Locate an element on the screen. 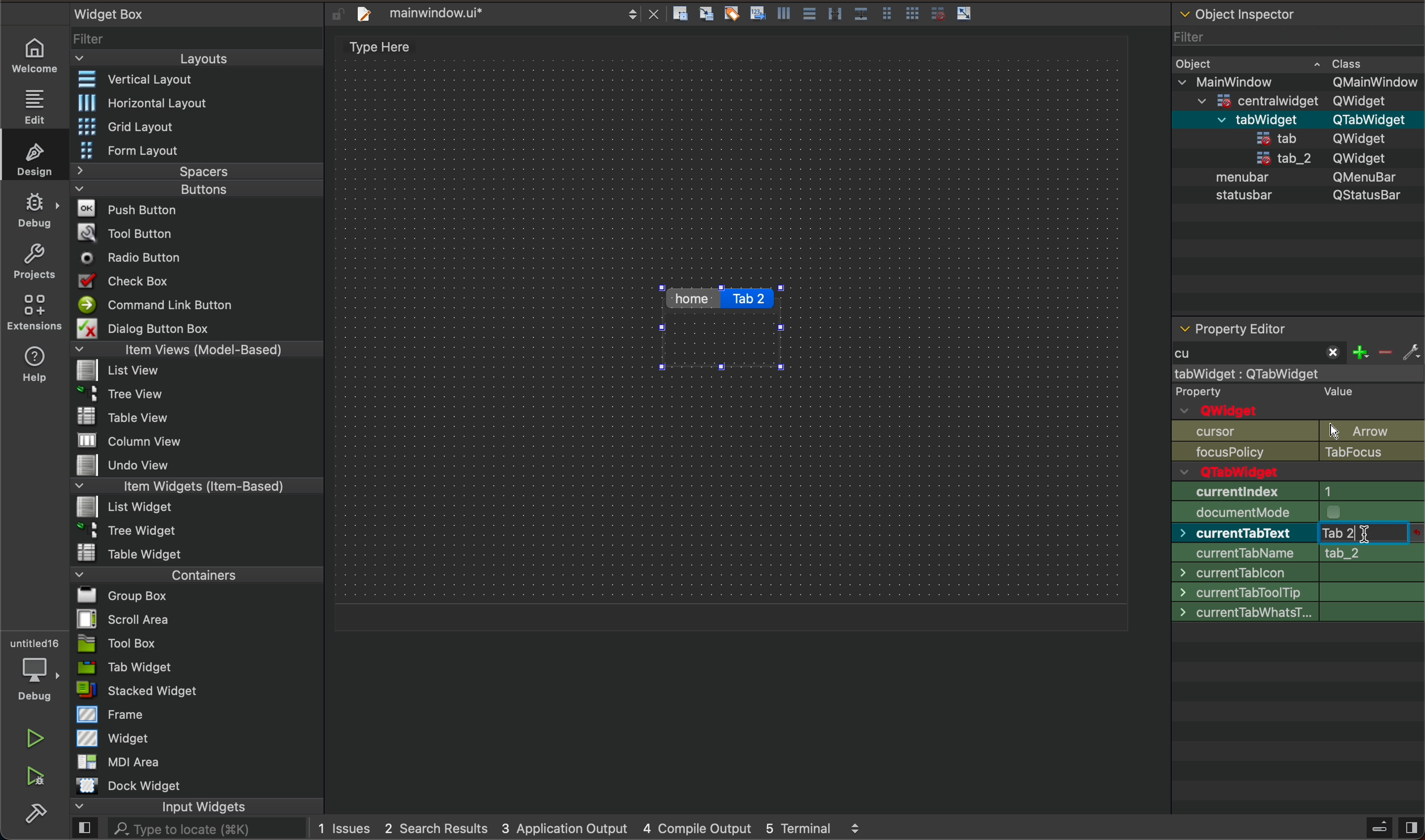  size increment is located at coordinates (1298, 571).